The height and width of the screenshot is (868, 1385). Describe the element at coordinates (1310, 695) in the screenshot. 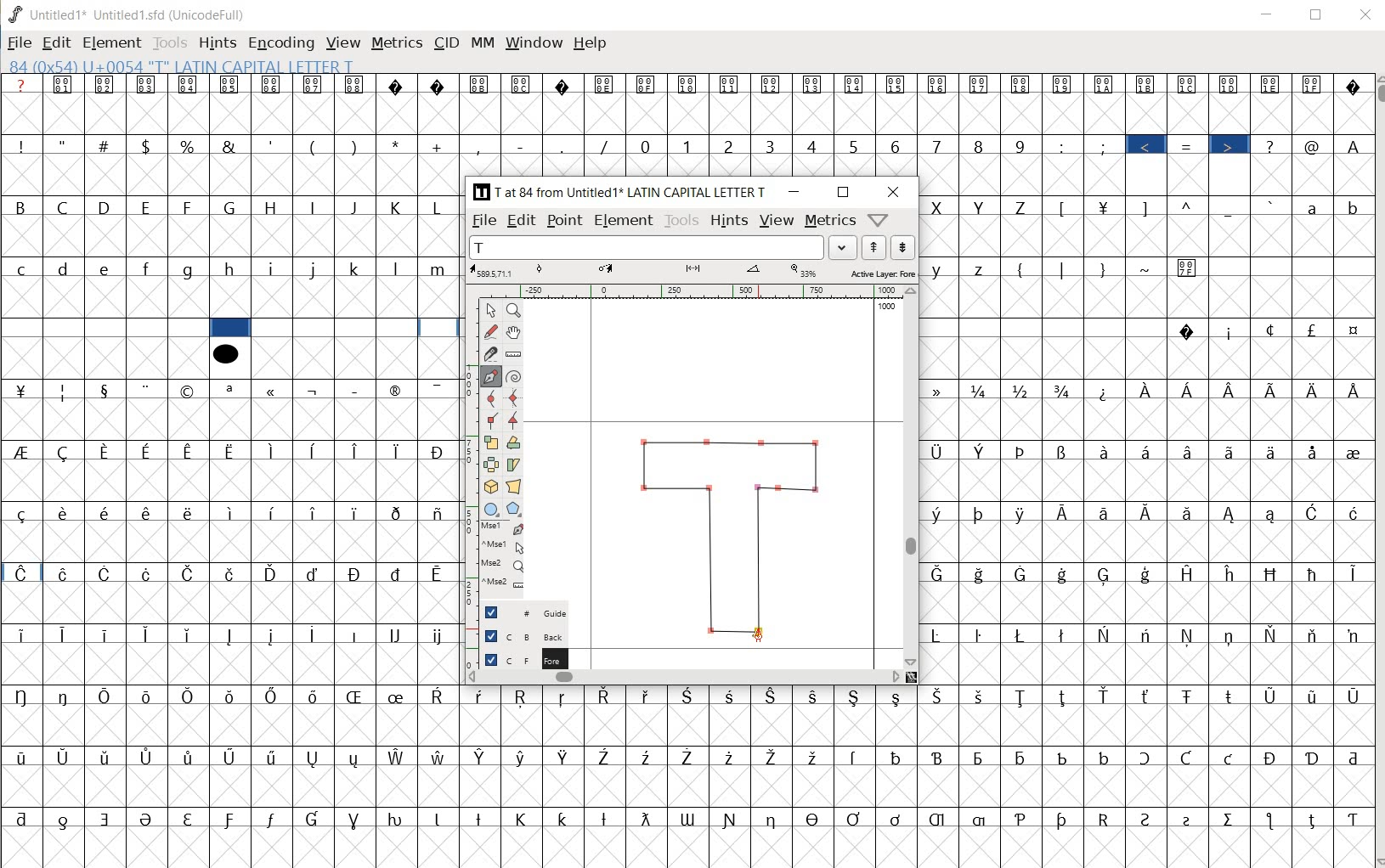

I see `Symbol` at that location.